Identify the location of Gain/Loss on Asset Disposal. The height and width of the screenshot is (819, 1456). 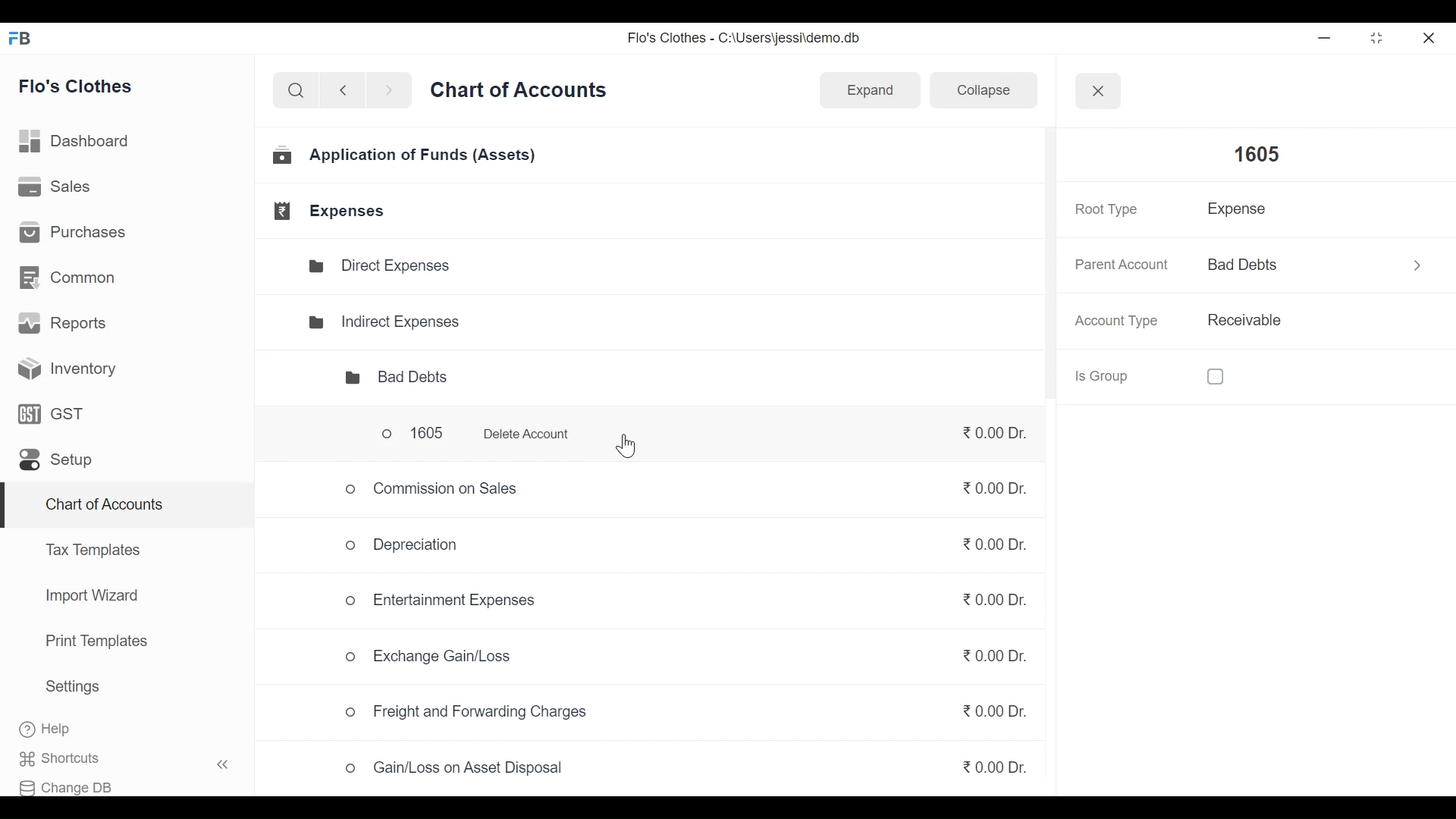
(456, 772).